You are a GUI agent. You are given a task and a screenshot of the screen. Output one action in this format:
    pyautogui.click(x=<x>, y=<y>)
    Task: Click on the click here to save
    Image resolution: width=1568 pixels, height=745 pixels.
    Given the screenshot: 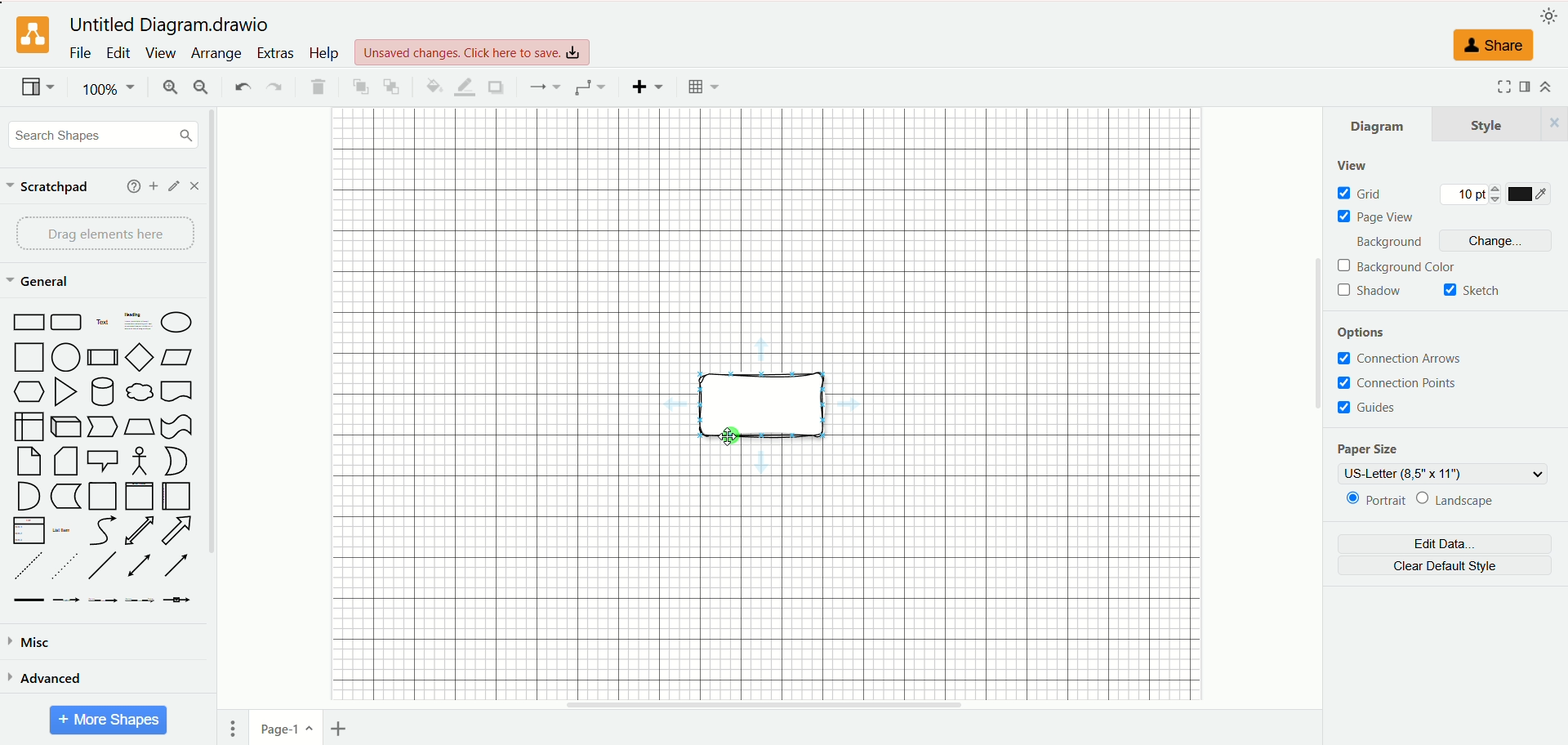 What is the action you would take?
    pyautogui.click(x=474, y=52)
    